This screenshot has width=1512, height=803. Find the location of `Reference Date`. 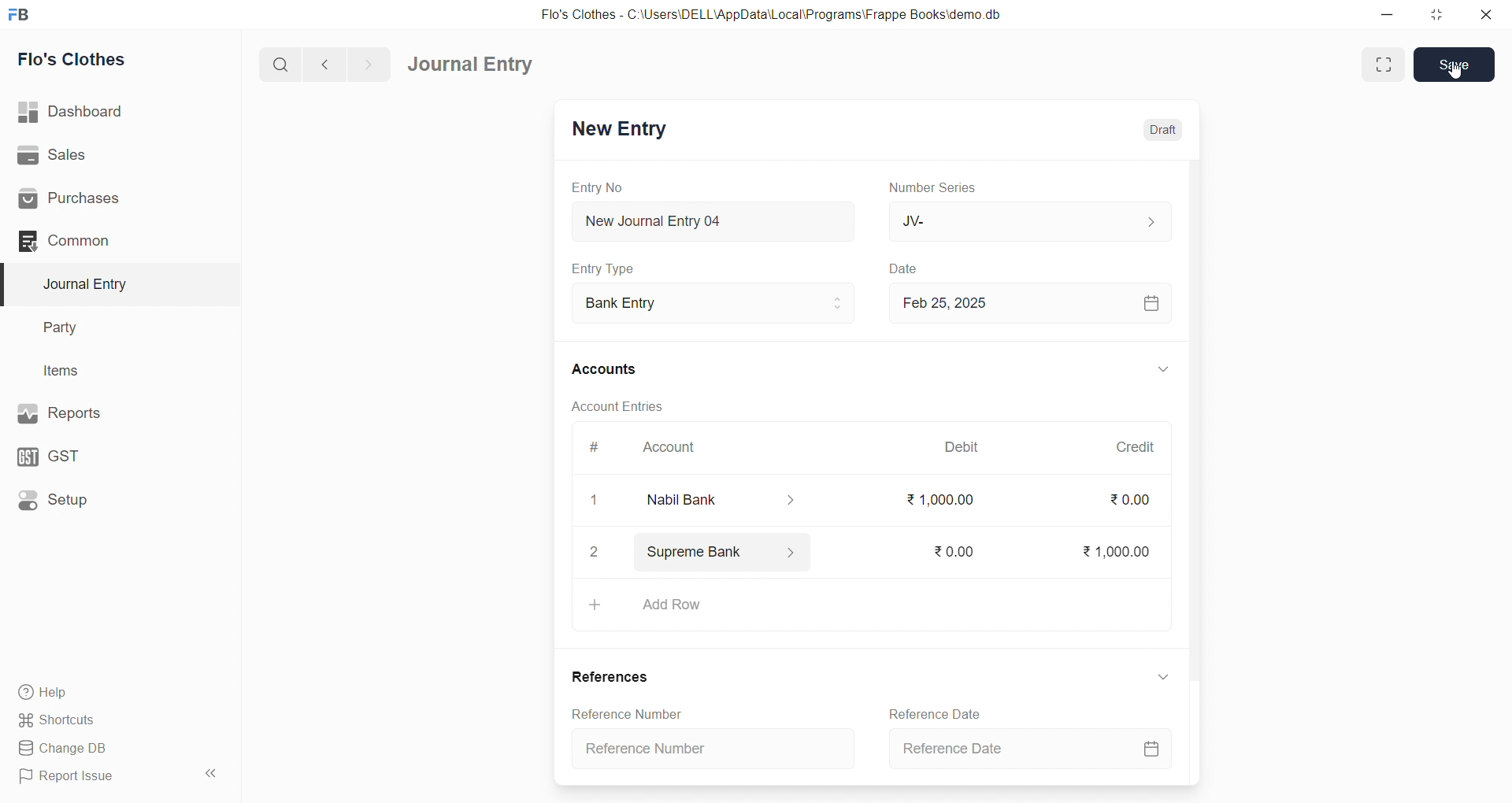

Reference Date is located at coordinates (940, 714).